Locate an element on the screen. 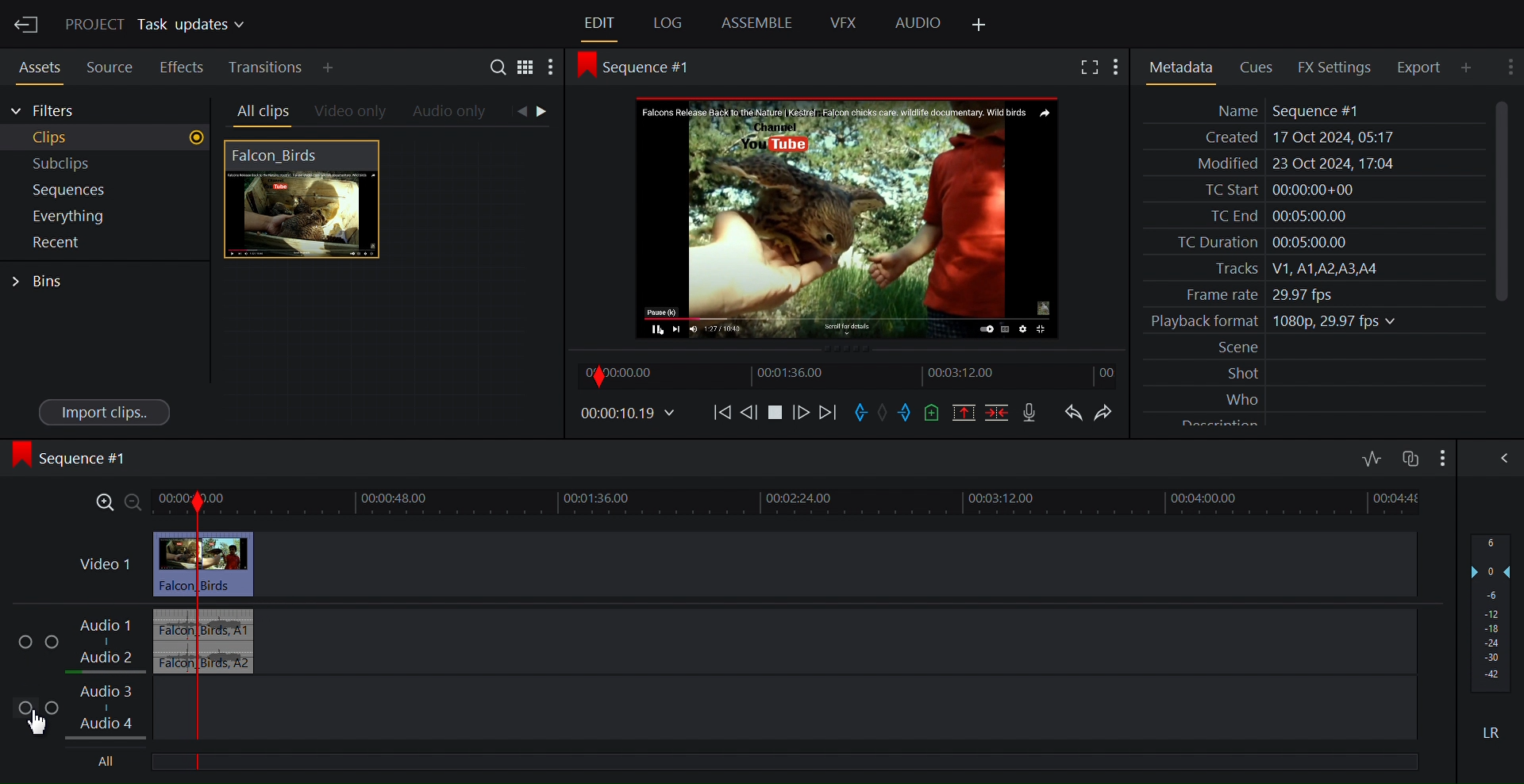  Nudge one frame forward is located at coordinates (803, 416).